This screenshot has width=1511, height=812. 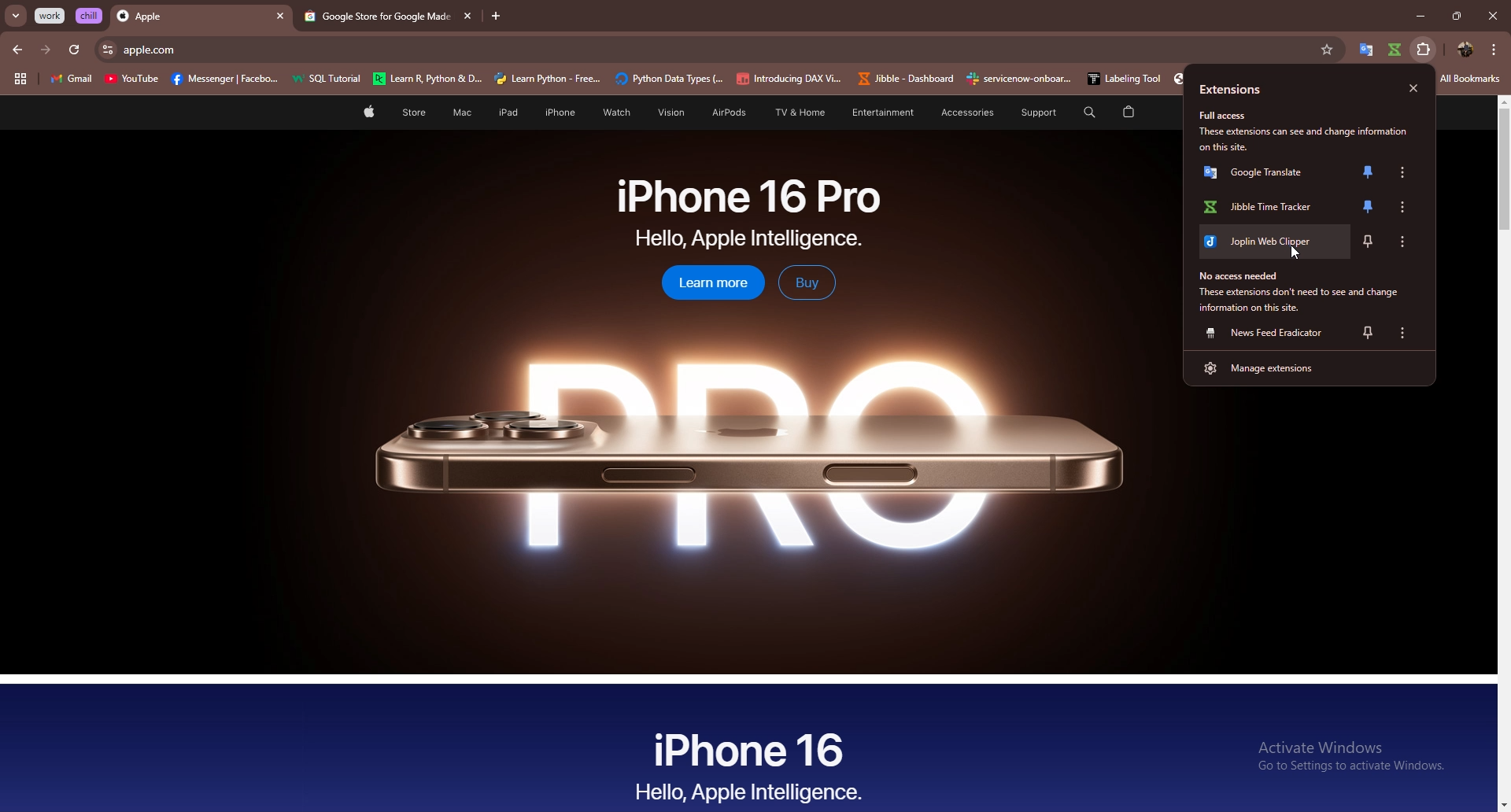 What do you see at coordinates (1405, 333) in the screenshot?
I see `option` at bounding box center [1405, 333].